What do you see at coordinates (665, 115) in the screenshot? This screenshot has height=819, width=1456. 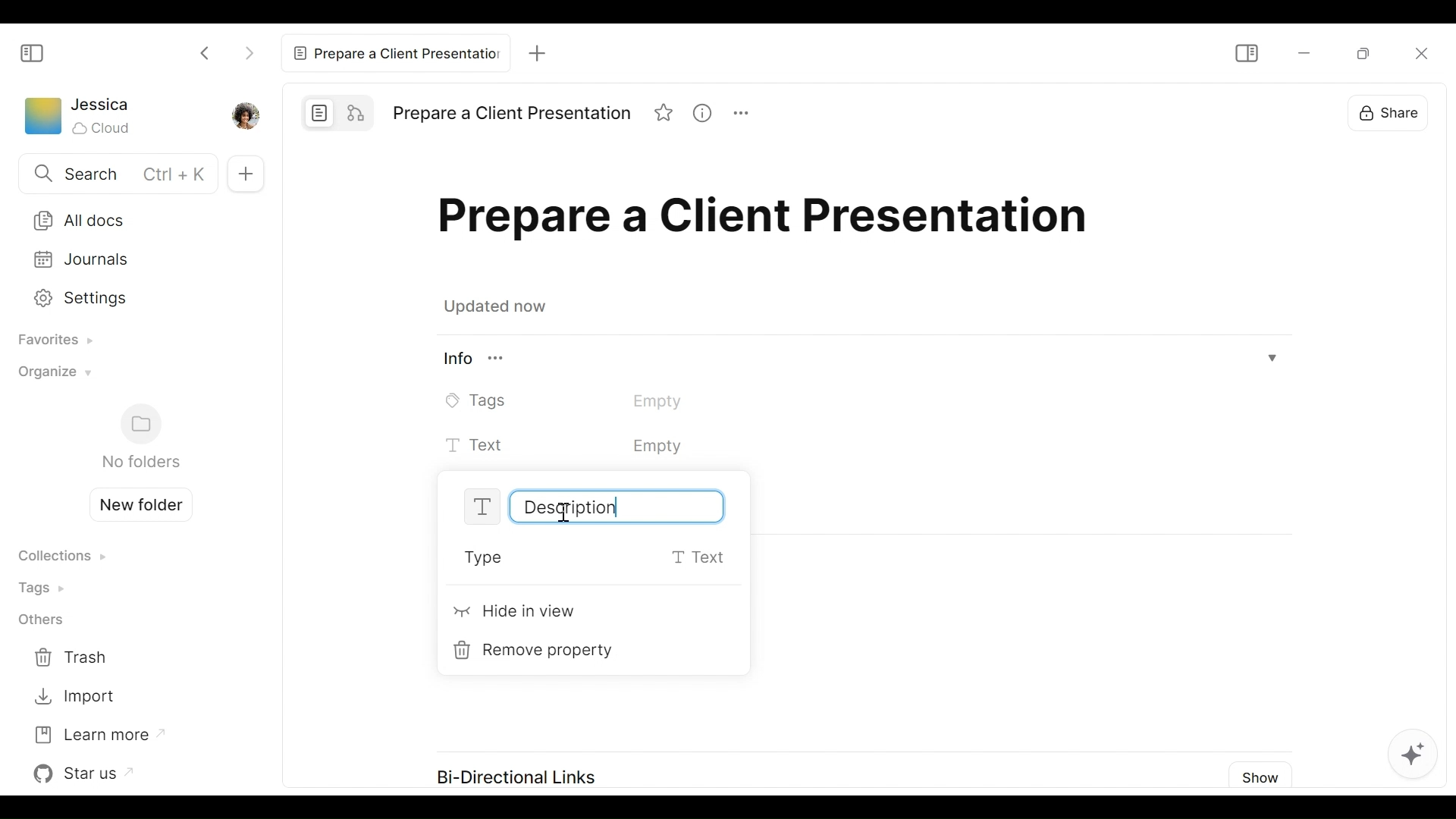 I see `Favorite` at bounding box center [665, 115].